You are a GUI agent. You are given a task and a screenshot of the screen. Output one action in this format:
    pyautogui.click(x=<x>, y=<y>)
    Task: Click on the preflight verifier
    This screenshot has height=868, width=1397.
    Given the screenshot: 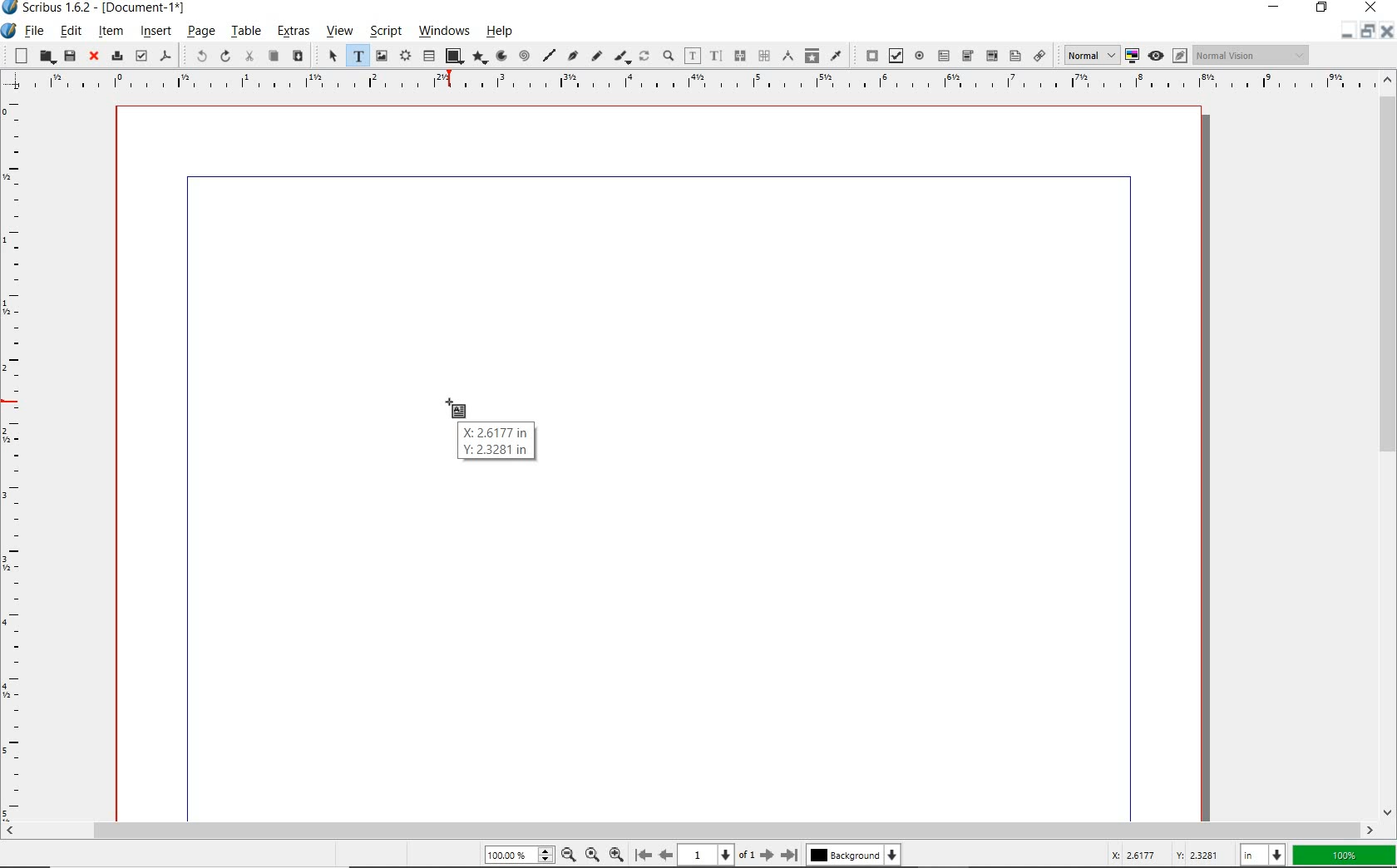 What is the action you would take?
    pyautogui.click(x=141, y=55)
    